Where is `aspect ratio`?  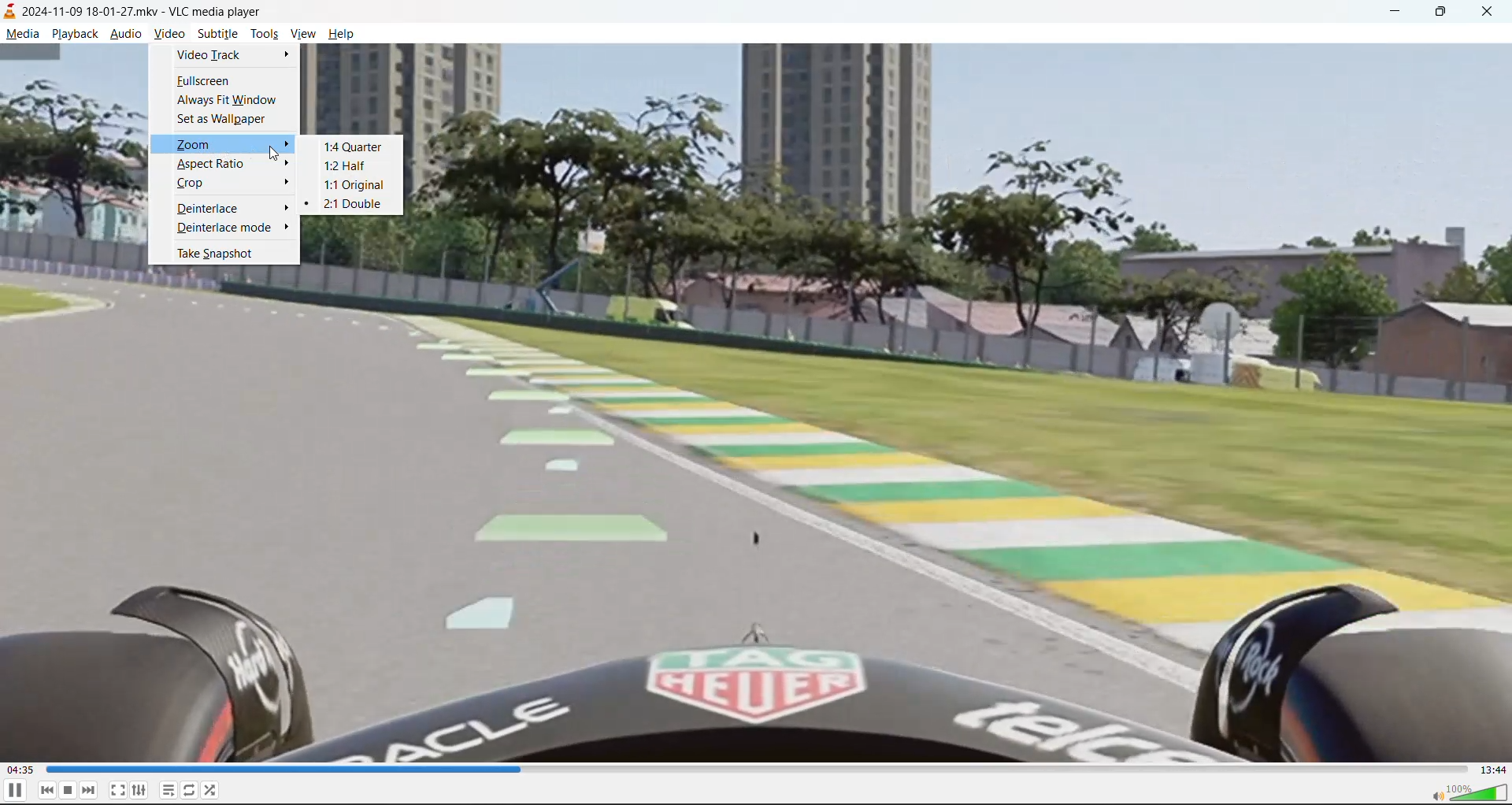
aspect ratio is located at coordinates (213, 165).